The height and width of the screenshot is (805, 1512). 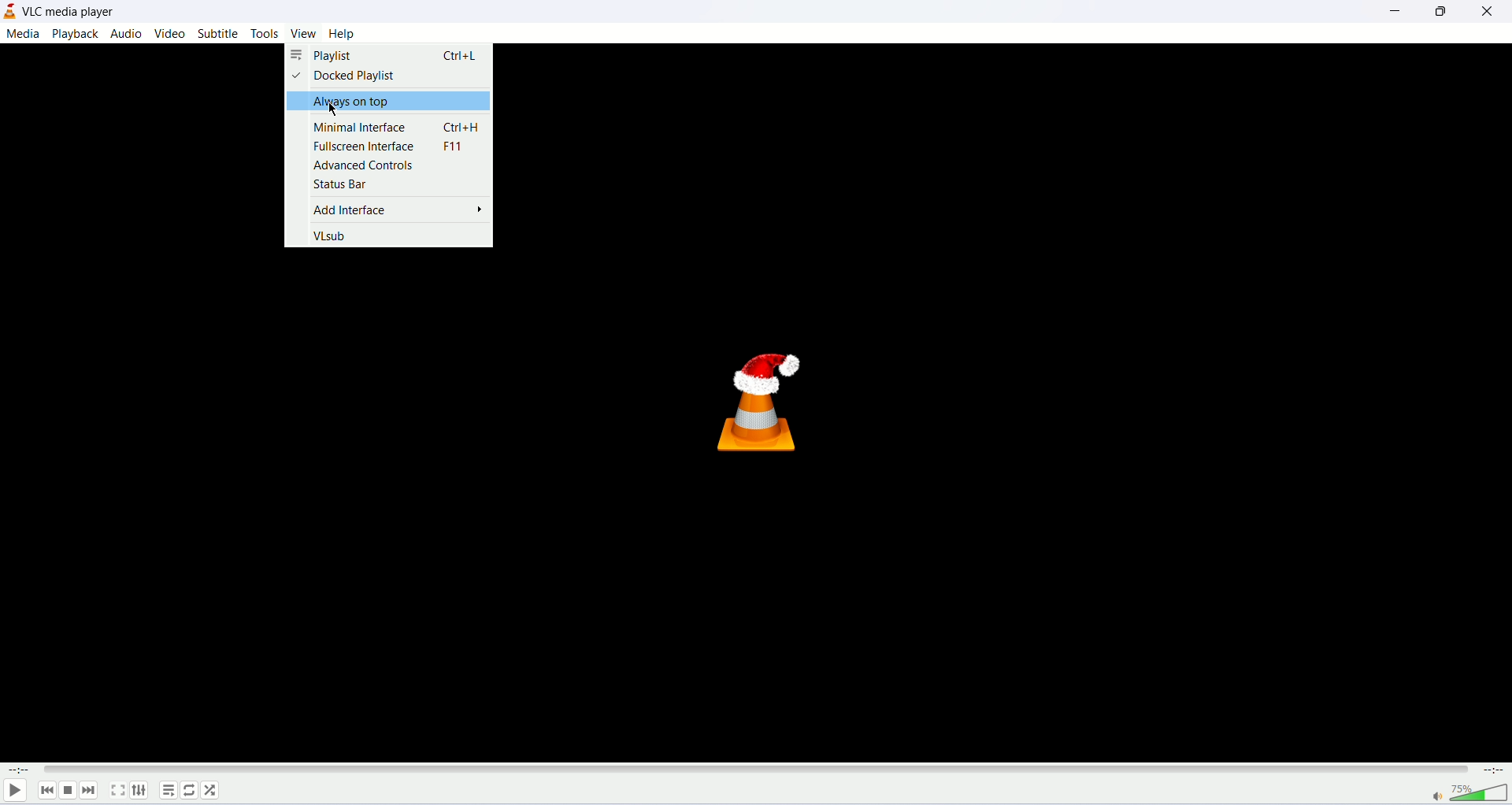 What do you see at coordinates (754, 768) in the screenshot?
I see `progress bar` at bounding box center [754, 768].